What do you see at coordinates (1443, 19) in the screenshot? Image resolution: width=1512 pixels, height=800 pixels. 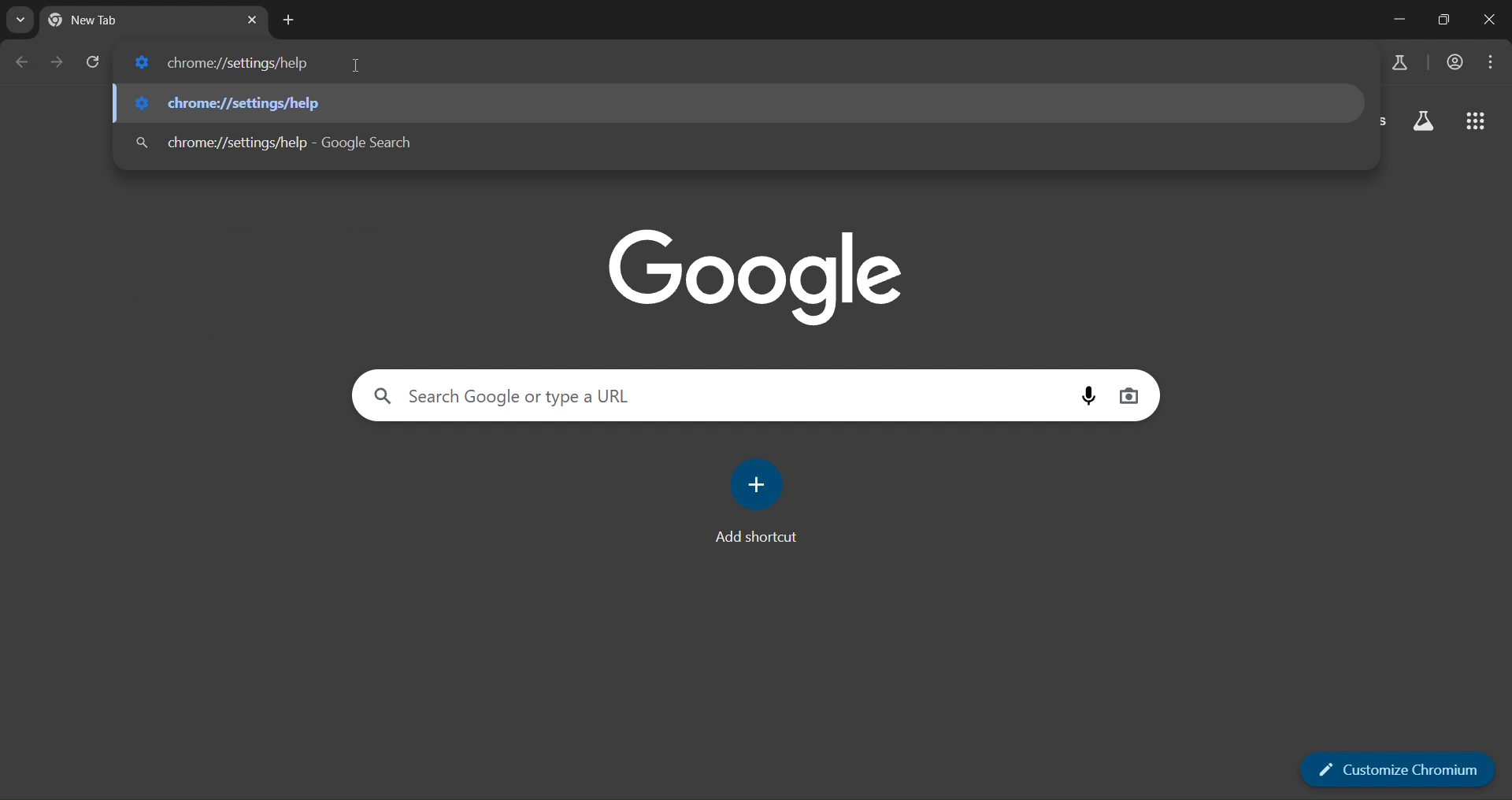 I see `Maximize` at bounding box center [1443, 19].